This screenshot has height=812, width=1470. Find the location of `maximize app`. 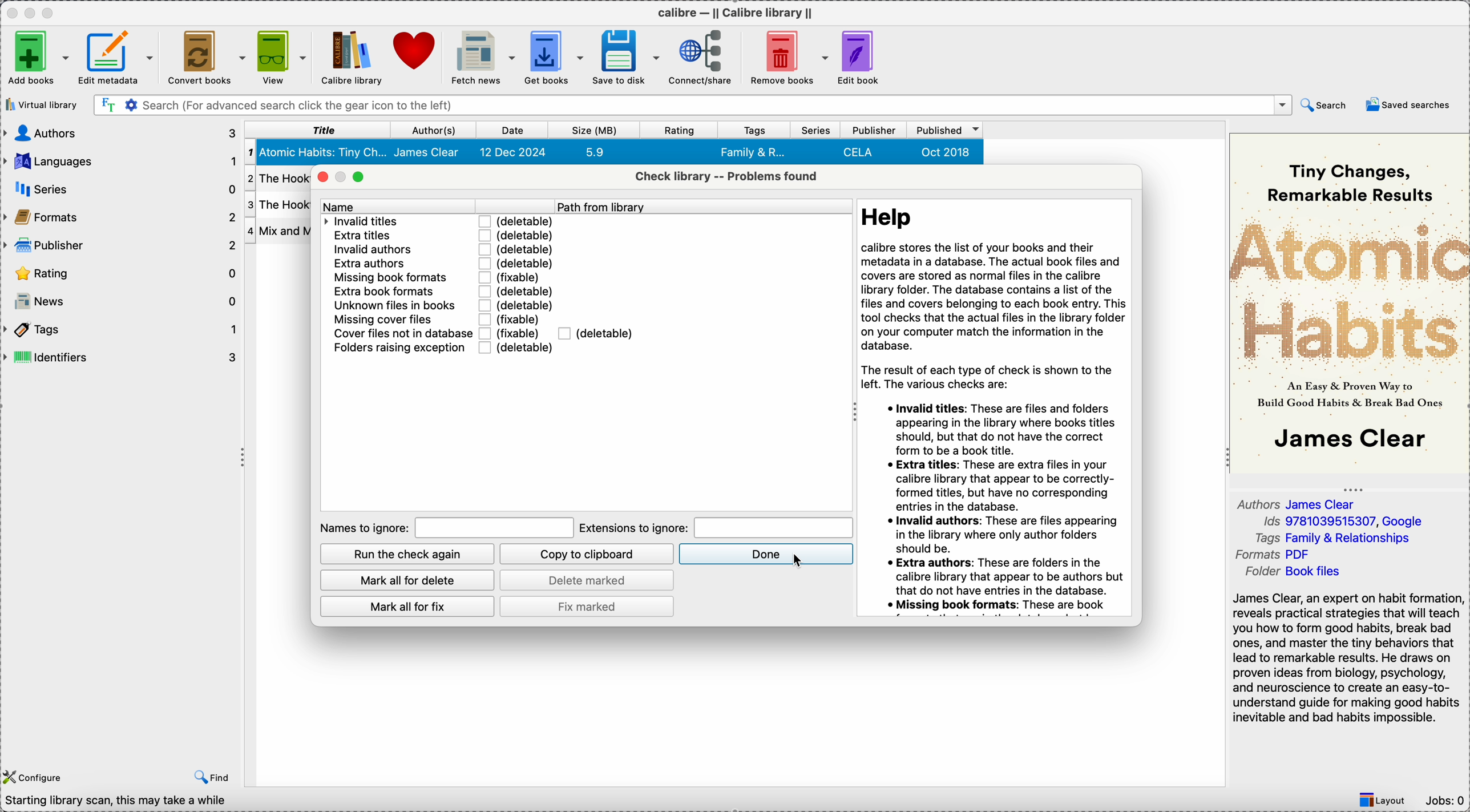

maximize app is located at coordinates (52, 10).